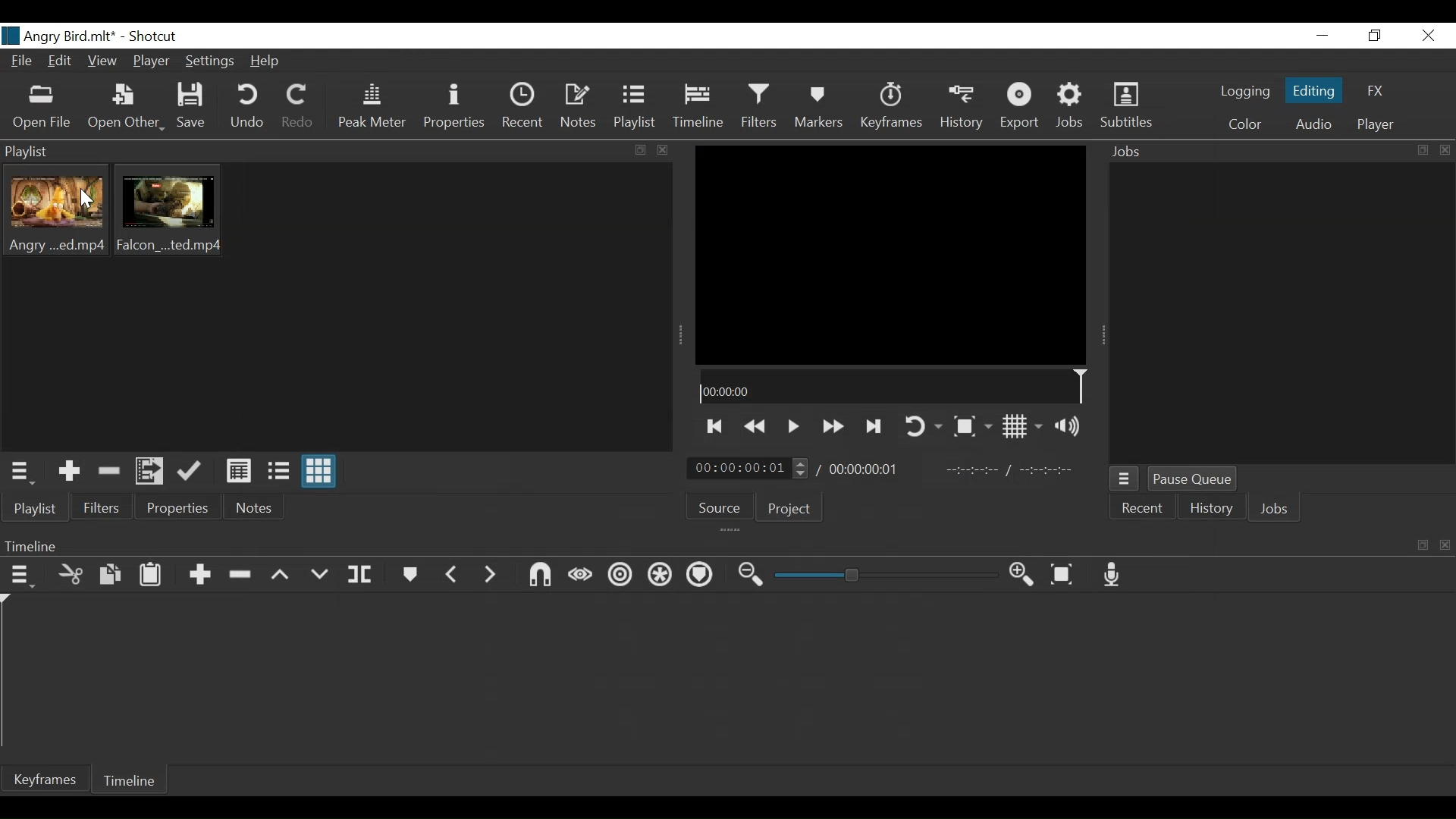 The image size is (1456, 819). Describe the element at coordinates (210, 61) in the screenshot. I see `Settings` at that location.